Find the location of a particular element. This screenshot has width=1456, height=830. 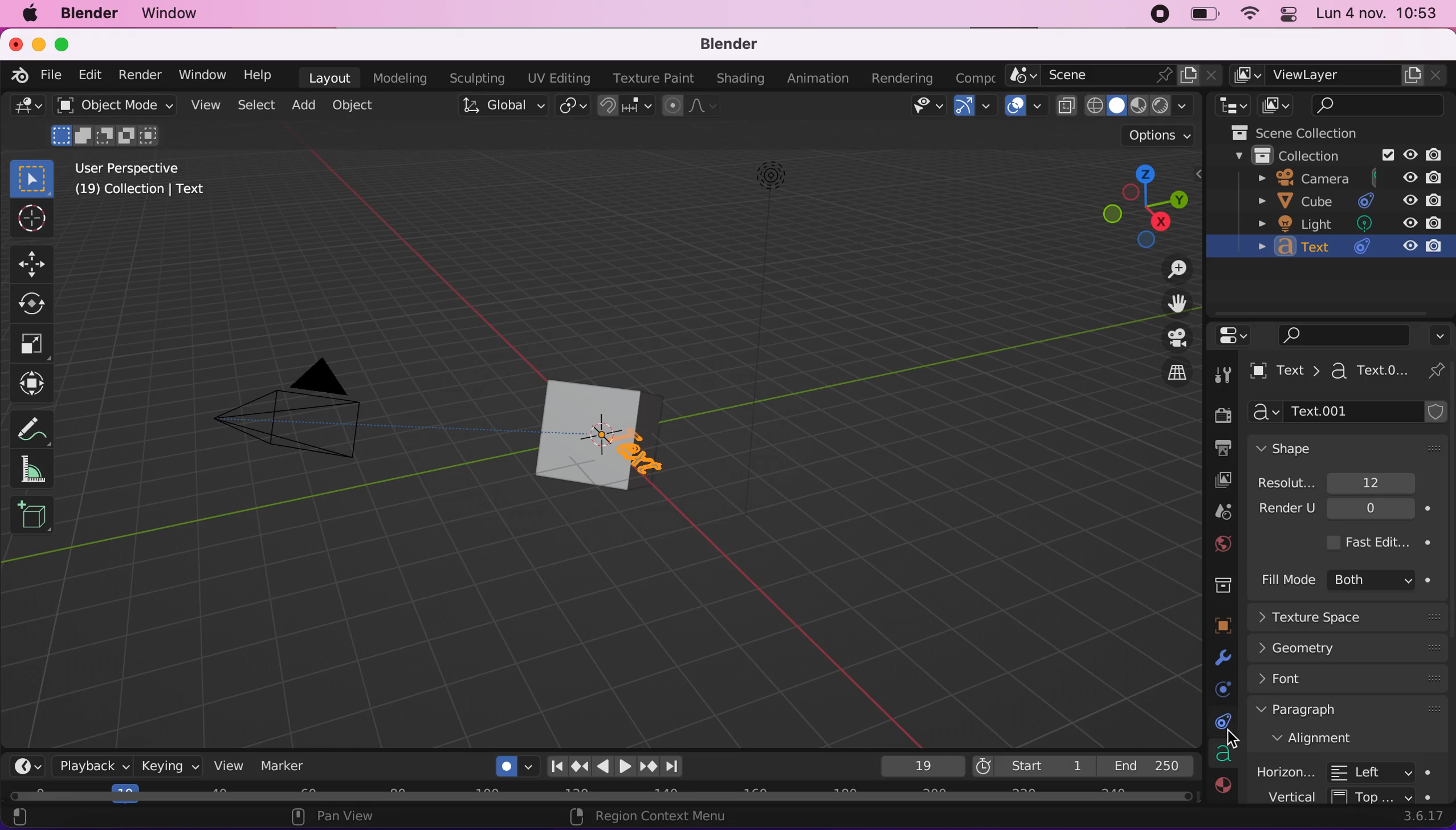

modeling is located at coordinates (405, 78).